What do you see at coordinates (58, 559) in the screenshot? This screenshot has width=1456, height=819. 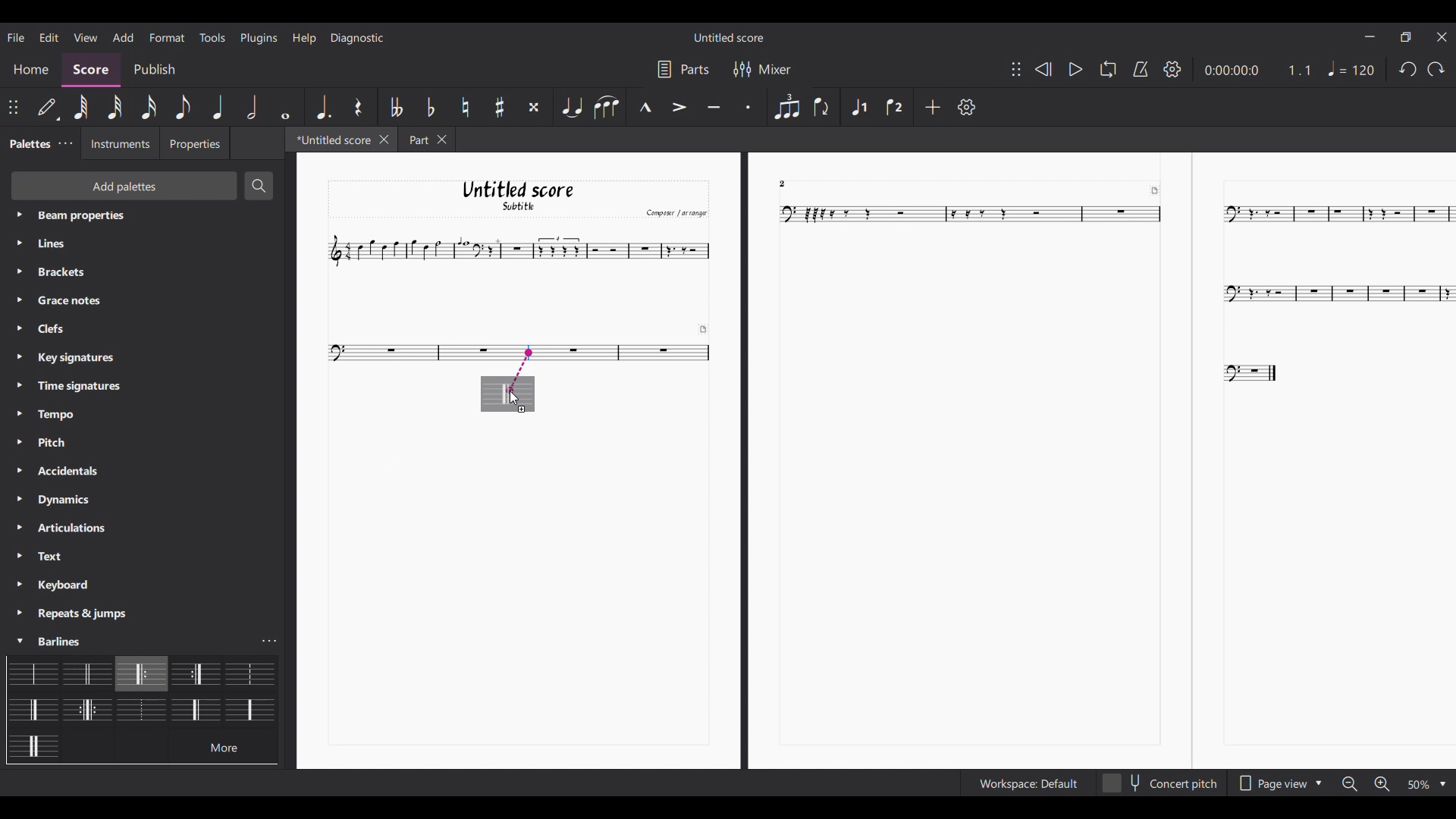 I see `Palette settings` at bounding box center [58, 559].